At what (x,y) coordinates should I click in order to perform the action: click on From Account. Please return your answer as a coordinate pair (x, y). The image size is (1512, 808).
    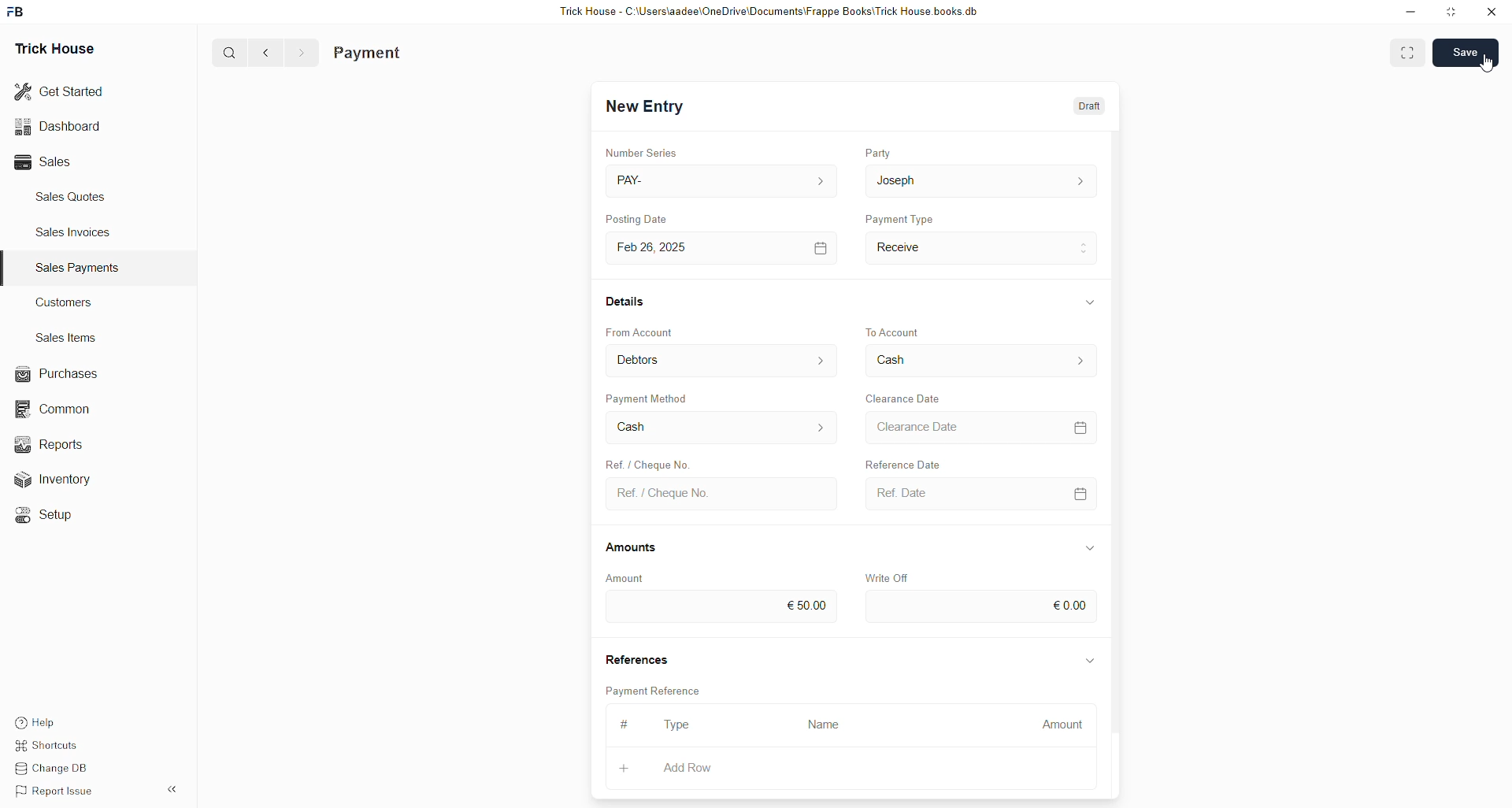
    Looking at the image, I should click on (723, 360).